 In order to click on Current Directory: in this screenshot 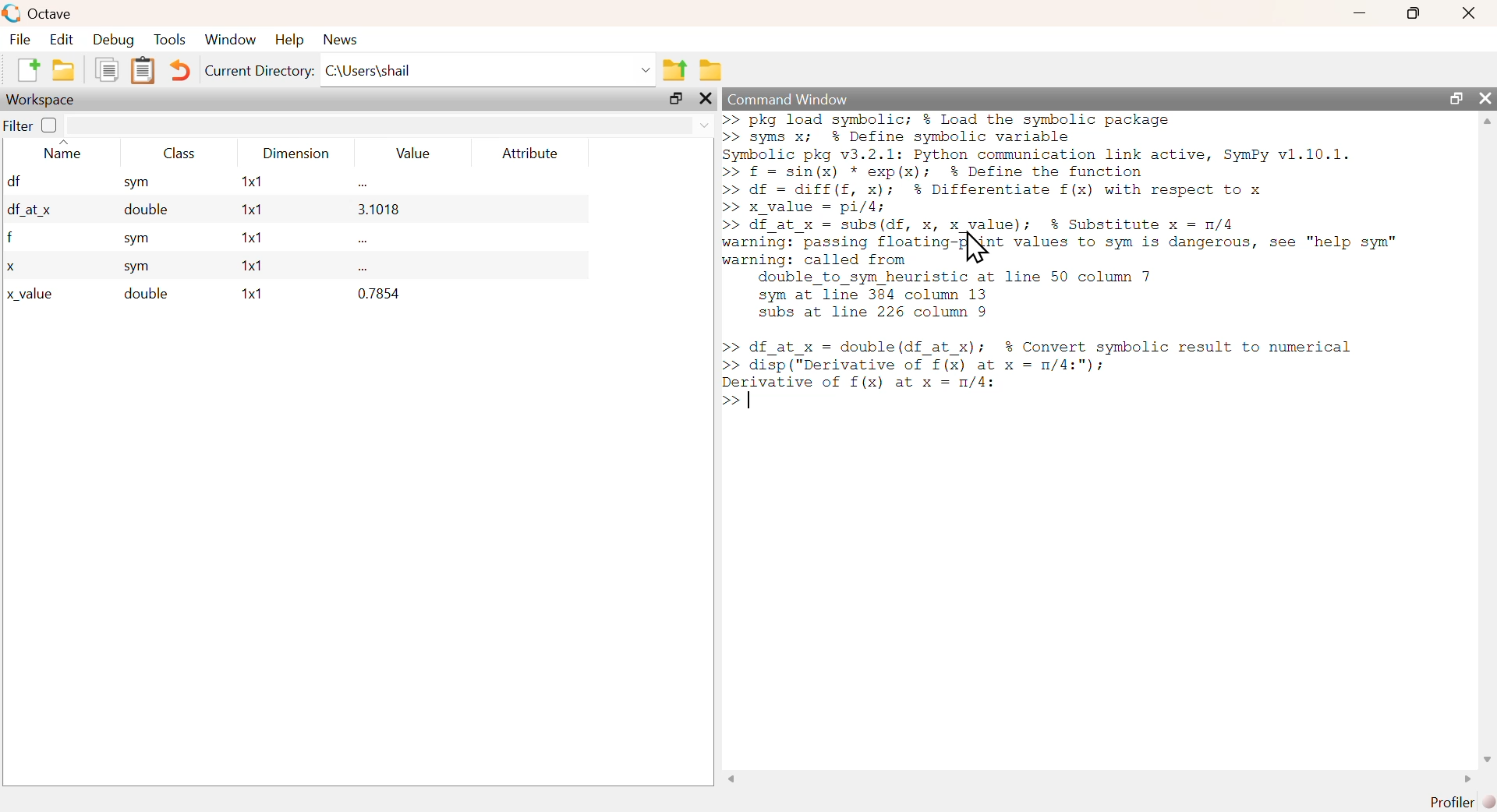, I will do `click(259, 70)`.